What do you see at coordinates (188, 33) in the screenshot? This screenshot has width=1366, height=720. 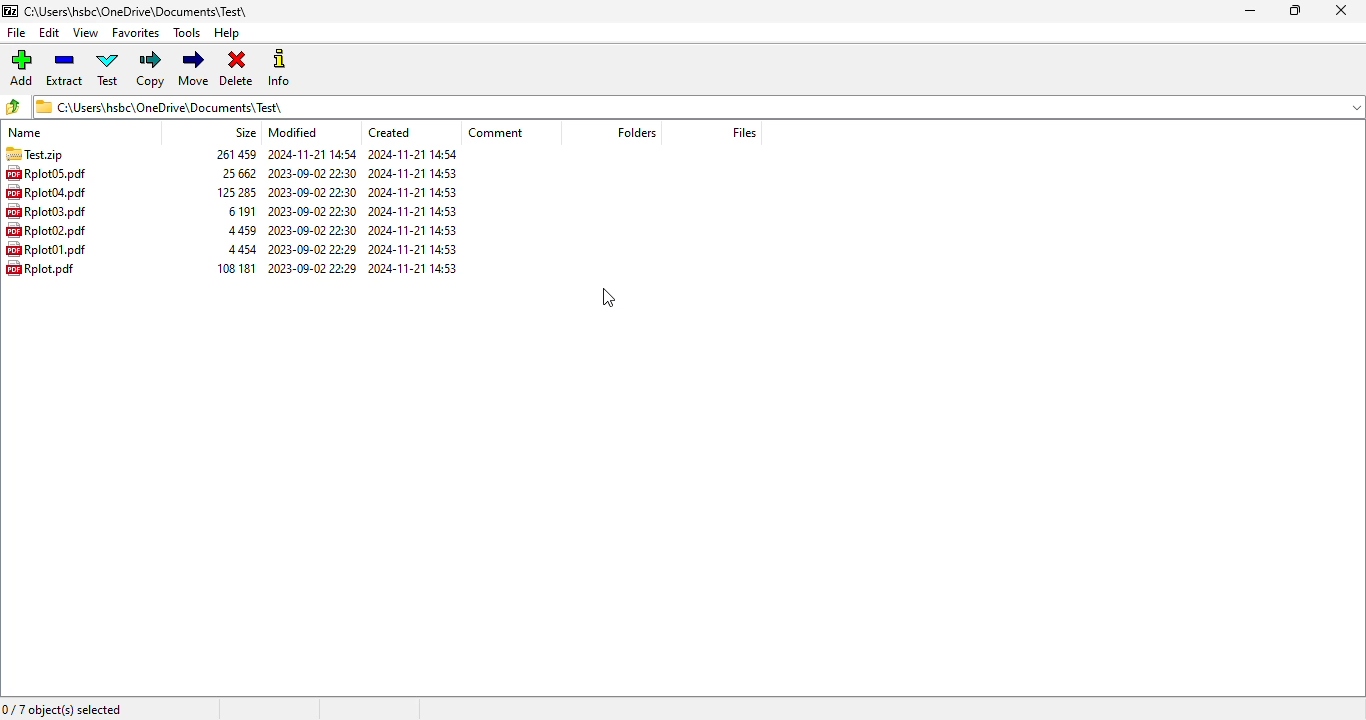 I see `tools` at bounding box center [188, 33].